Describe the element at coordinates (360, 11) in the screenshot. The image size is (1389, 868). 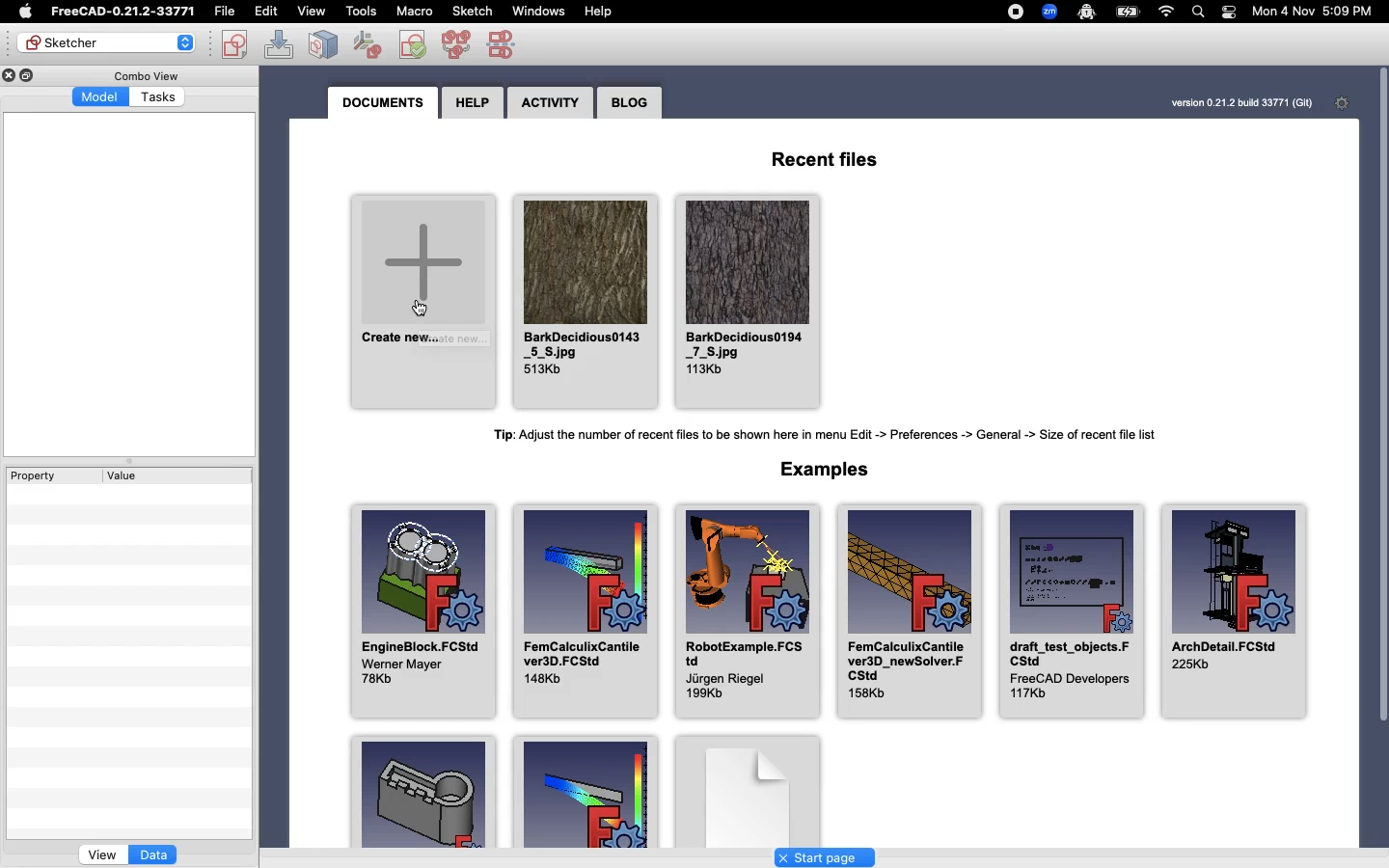
I see `Tools` at that location.